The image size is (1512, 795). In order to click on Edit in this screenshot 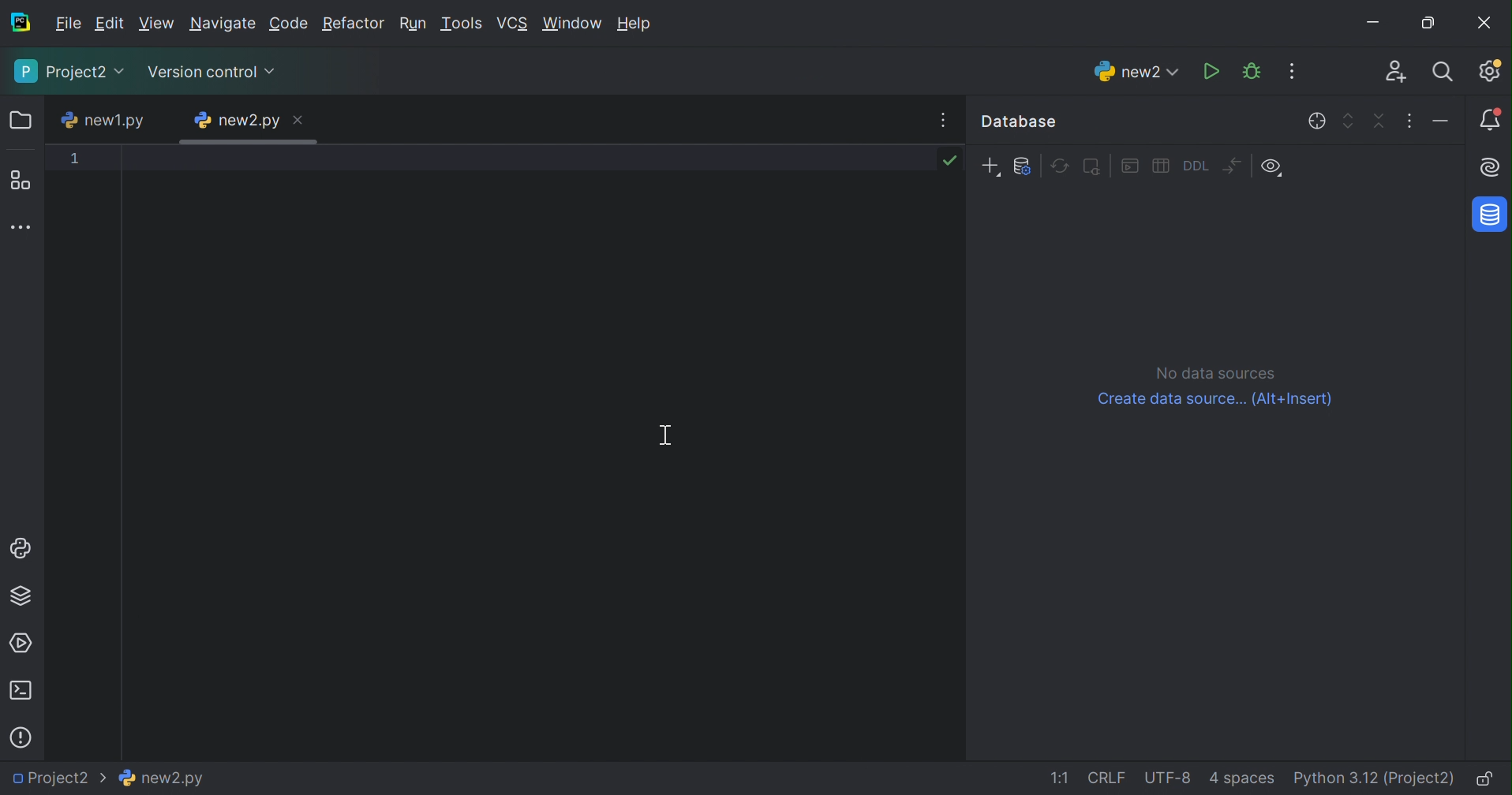, I will do `click(108, 23)`.